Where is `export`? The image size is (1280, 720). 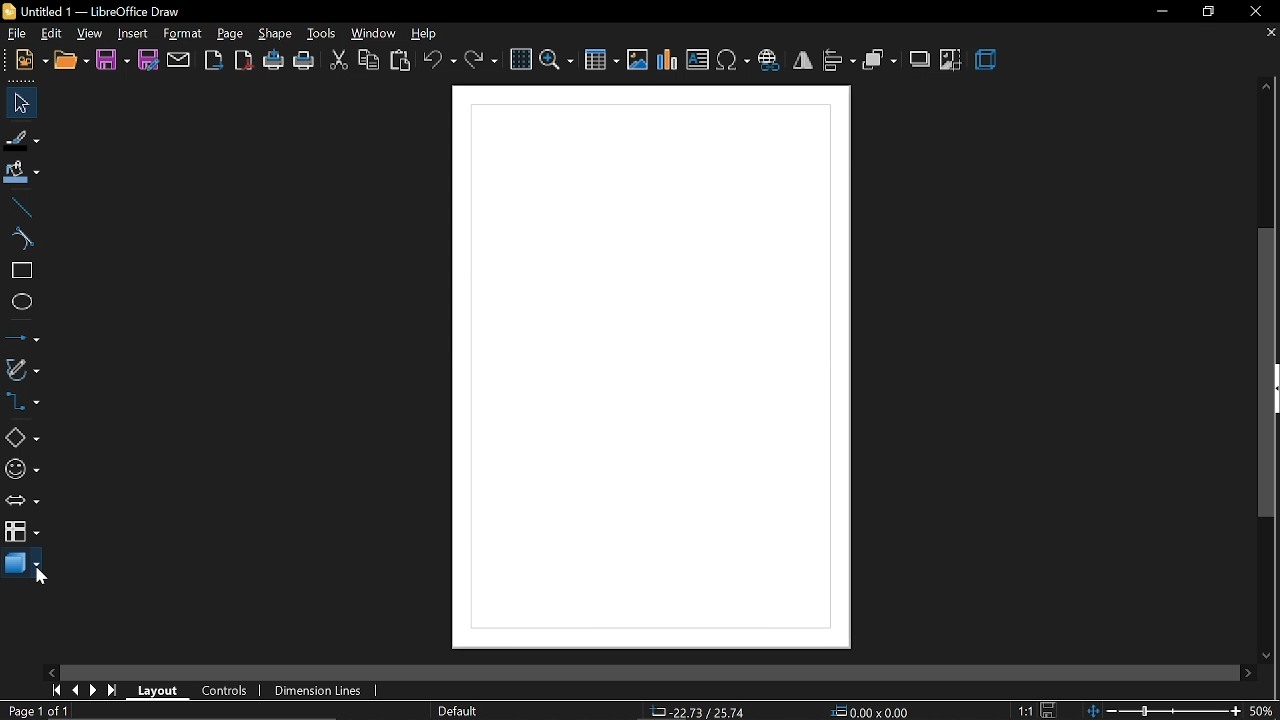
export is located at coordinates (214, 60).